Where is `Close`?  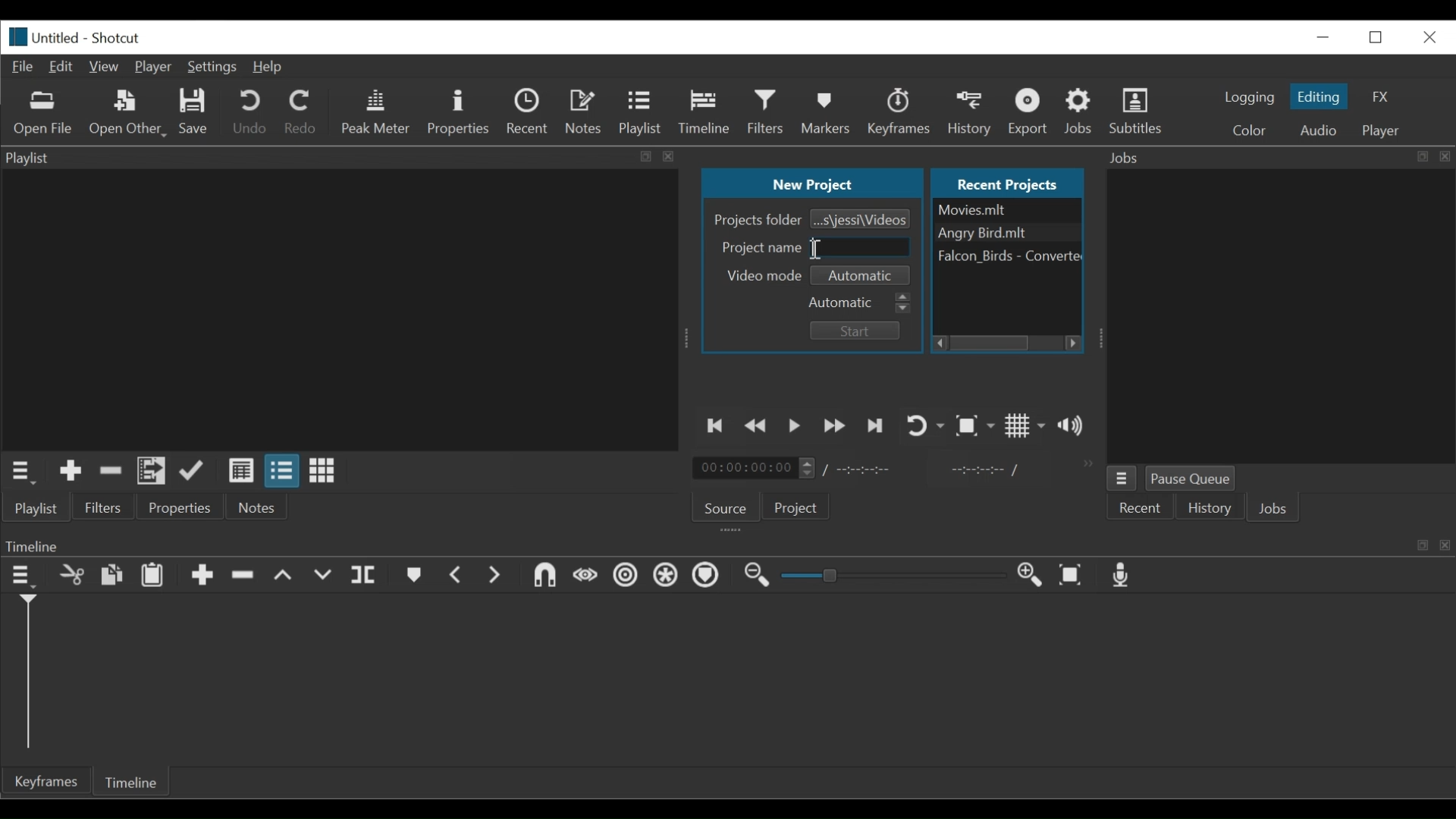 Close is located at coordinates (1430, 37).